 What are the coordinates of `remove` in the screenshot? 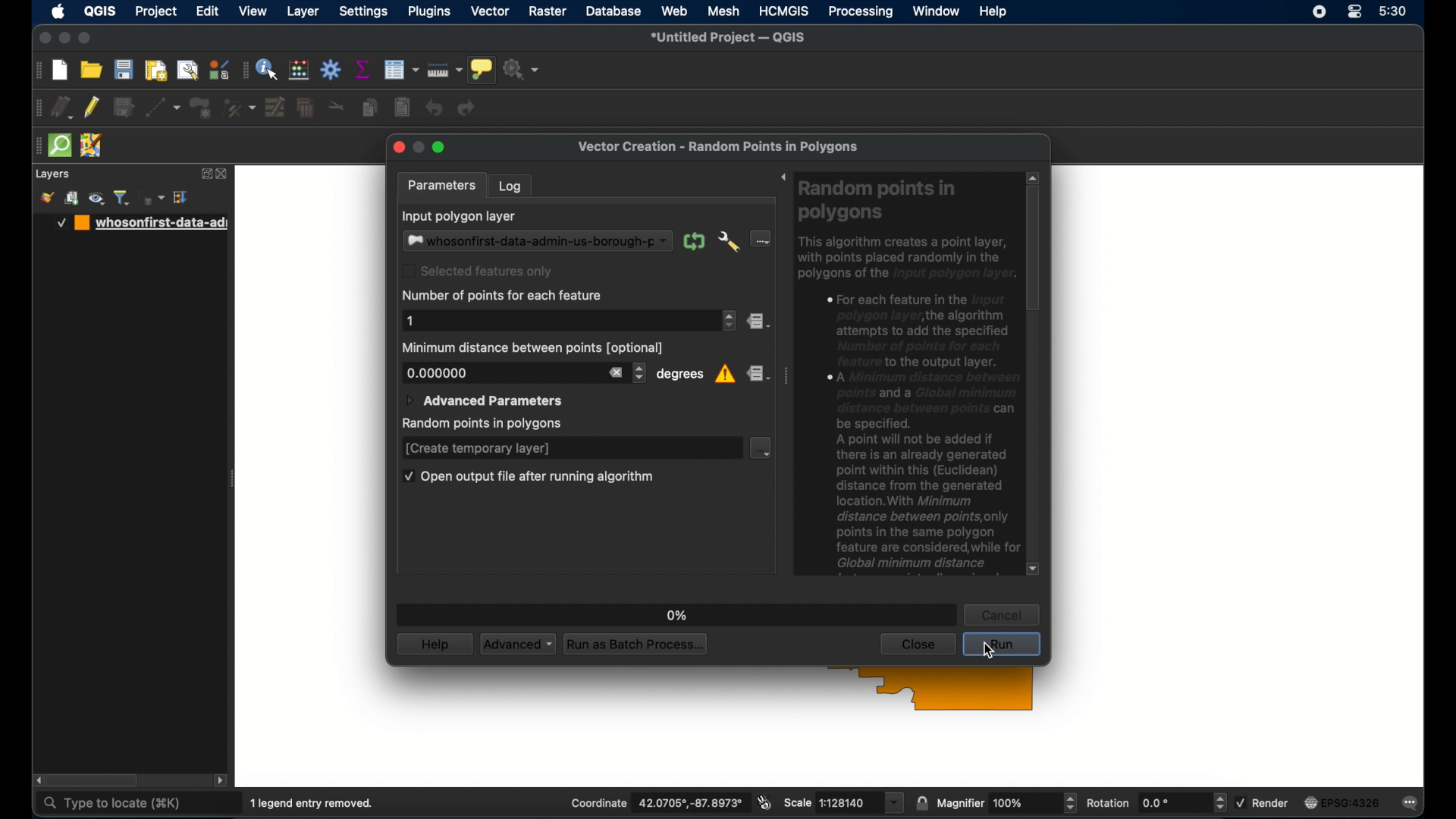 It's located at (615, 372).